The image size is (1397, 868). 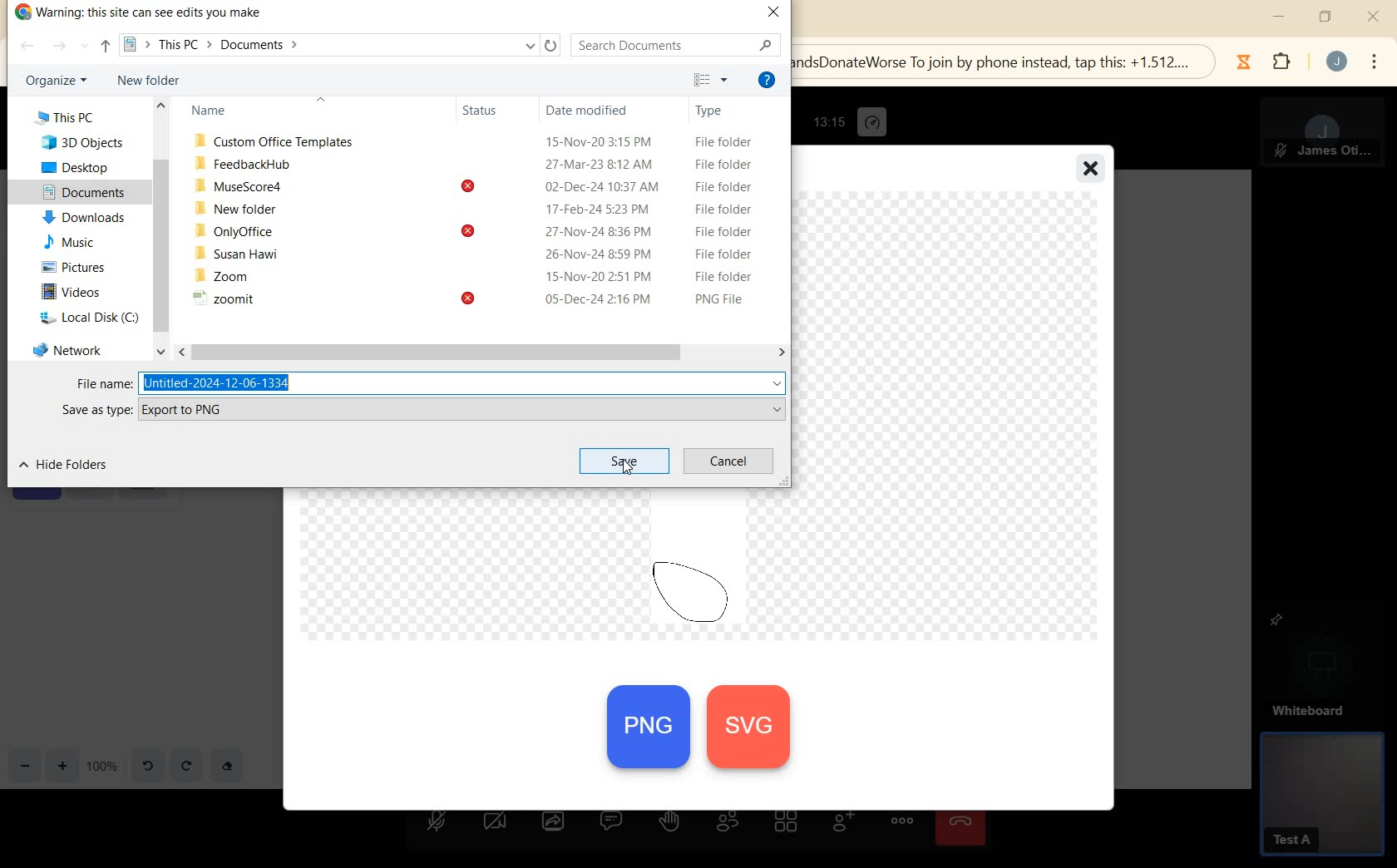 I want to click on FORWARD, so click(x=67, y=47).